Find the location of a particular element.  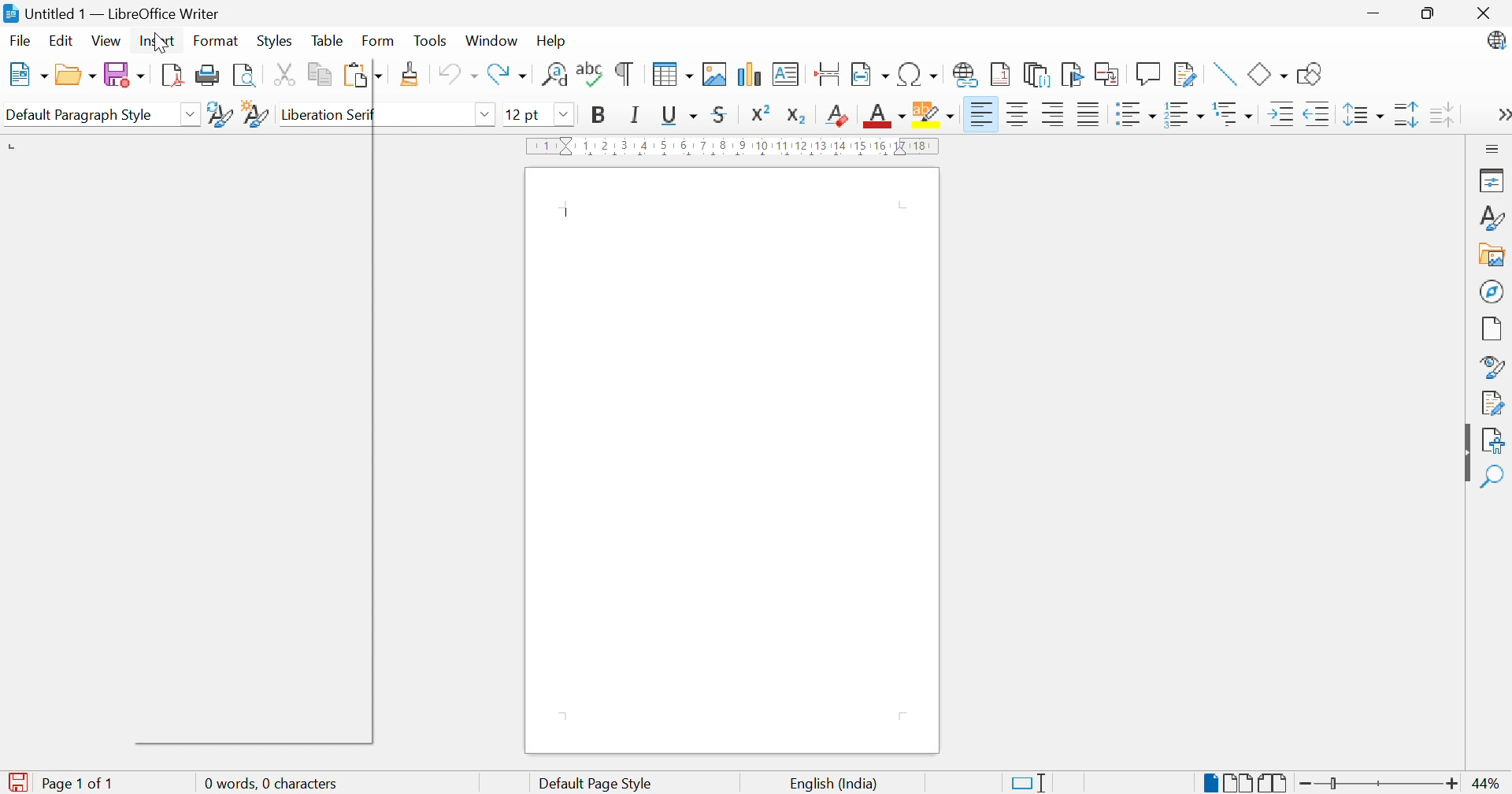

Italic is located at coordinates (632, 114).